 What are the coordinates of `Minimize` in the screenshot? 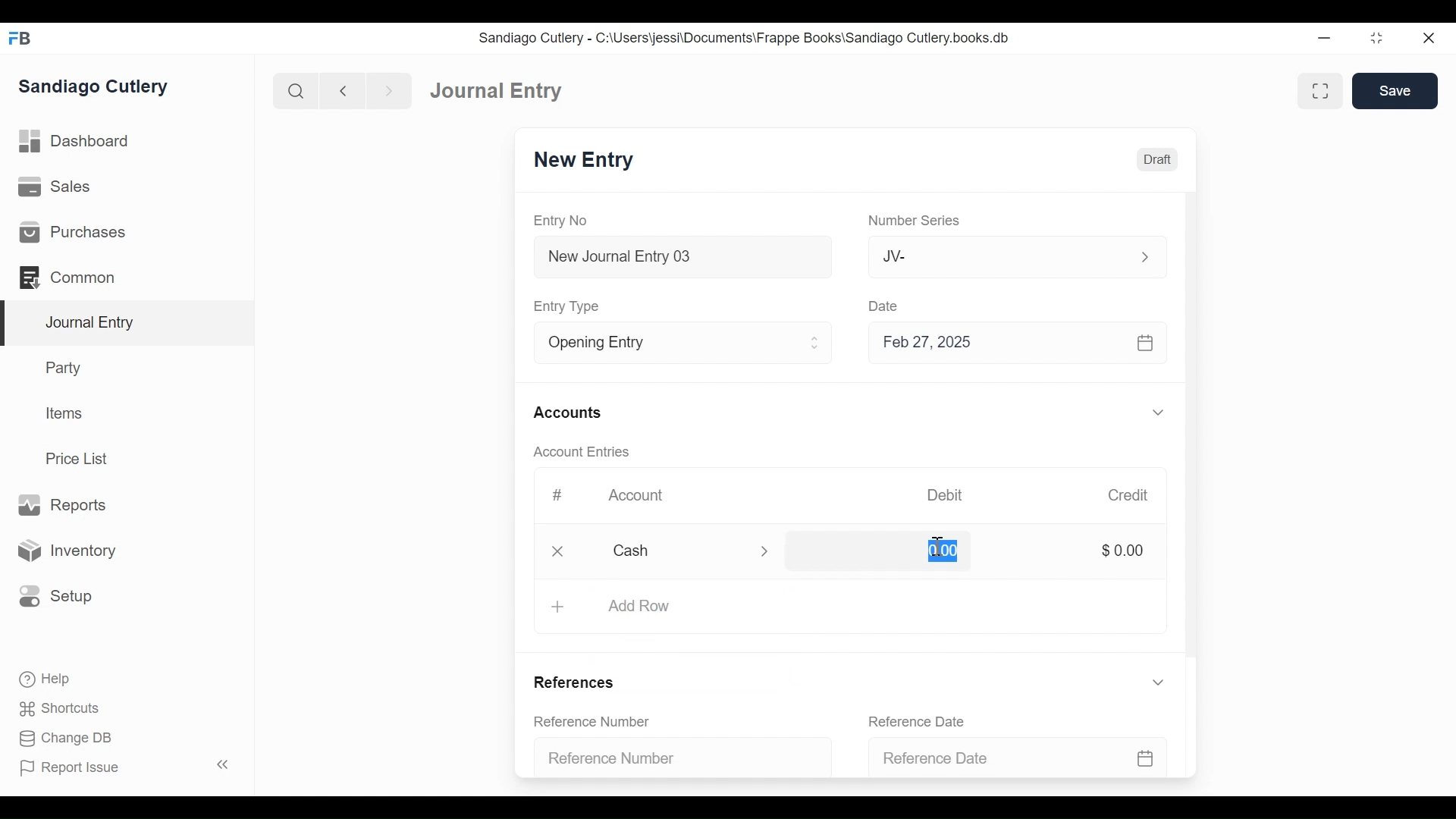 It's located at (1326, 37).